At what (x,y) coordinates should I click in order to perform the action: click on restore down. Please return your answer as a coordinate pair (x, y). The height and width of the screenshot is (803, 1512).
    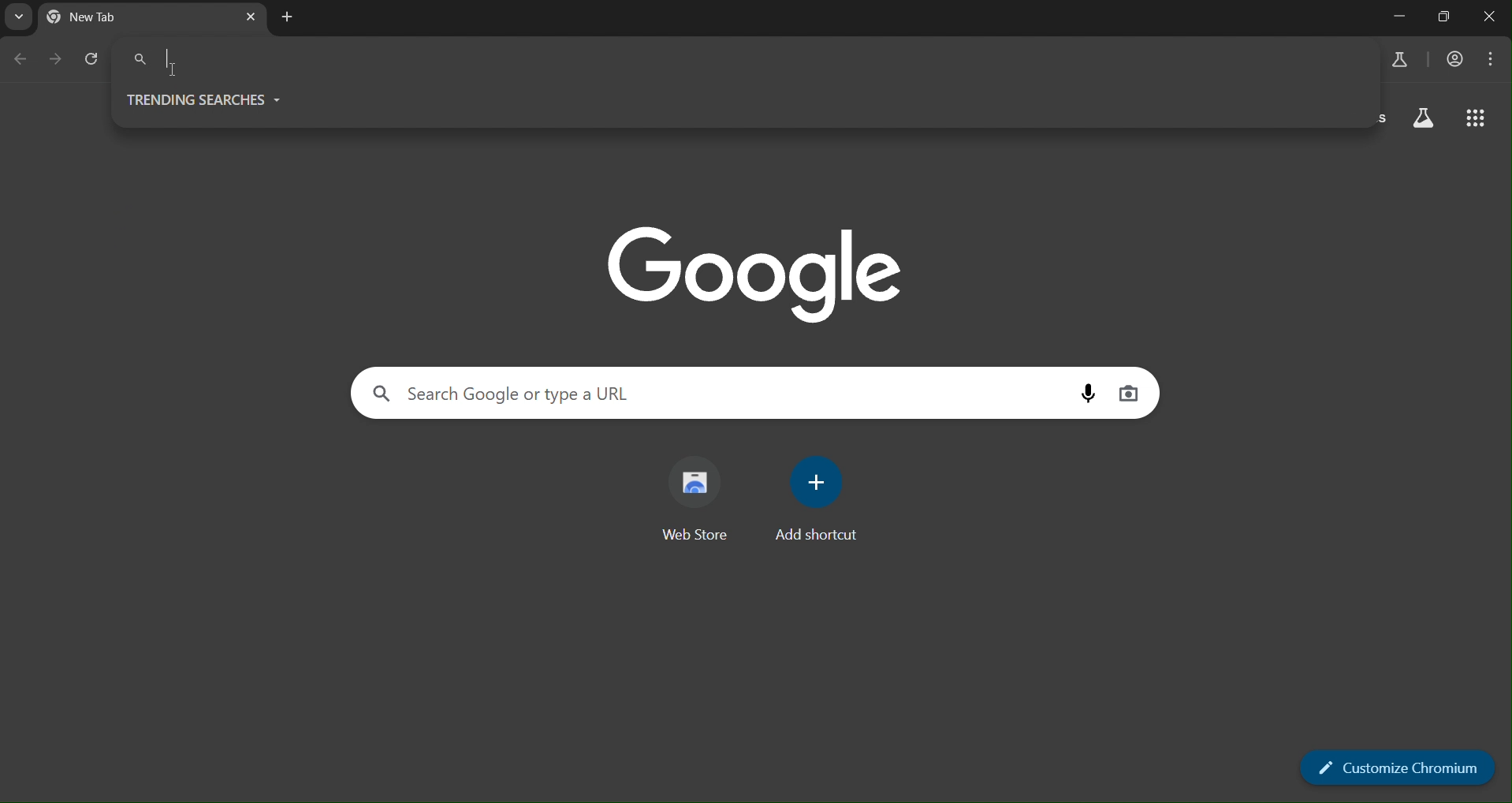
    Looking at the image, I should click on (1442, 18).